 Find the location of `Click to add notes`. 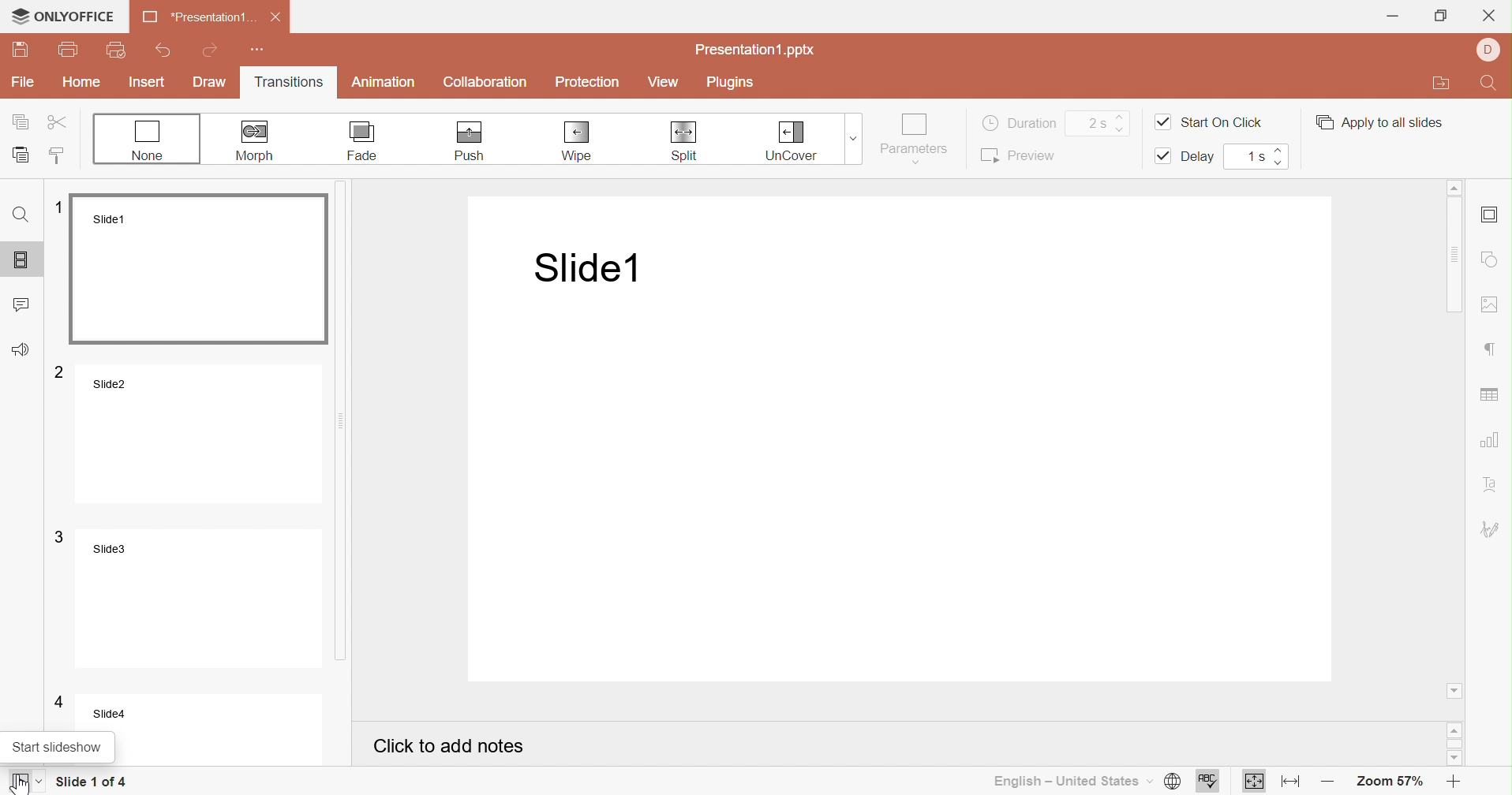

Click to add notes is located at coordinates (450, 748).